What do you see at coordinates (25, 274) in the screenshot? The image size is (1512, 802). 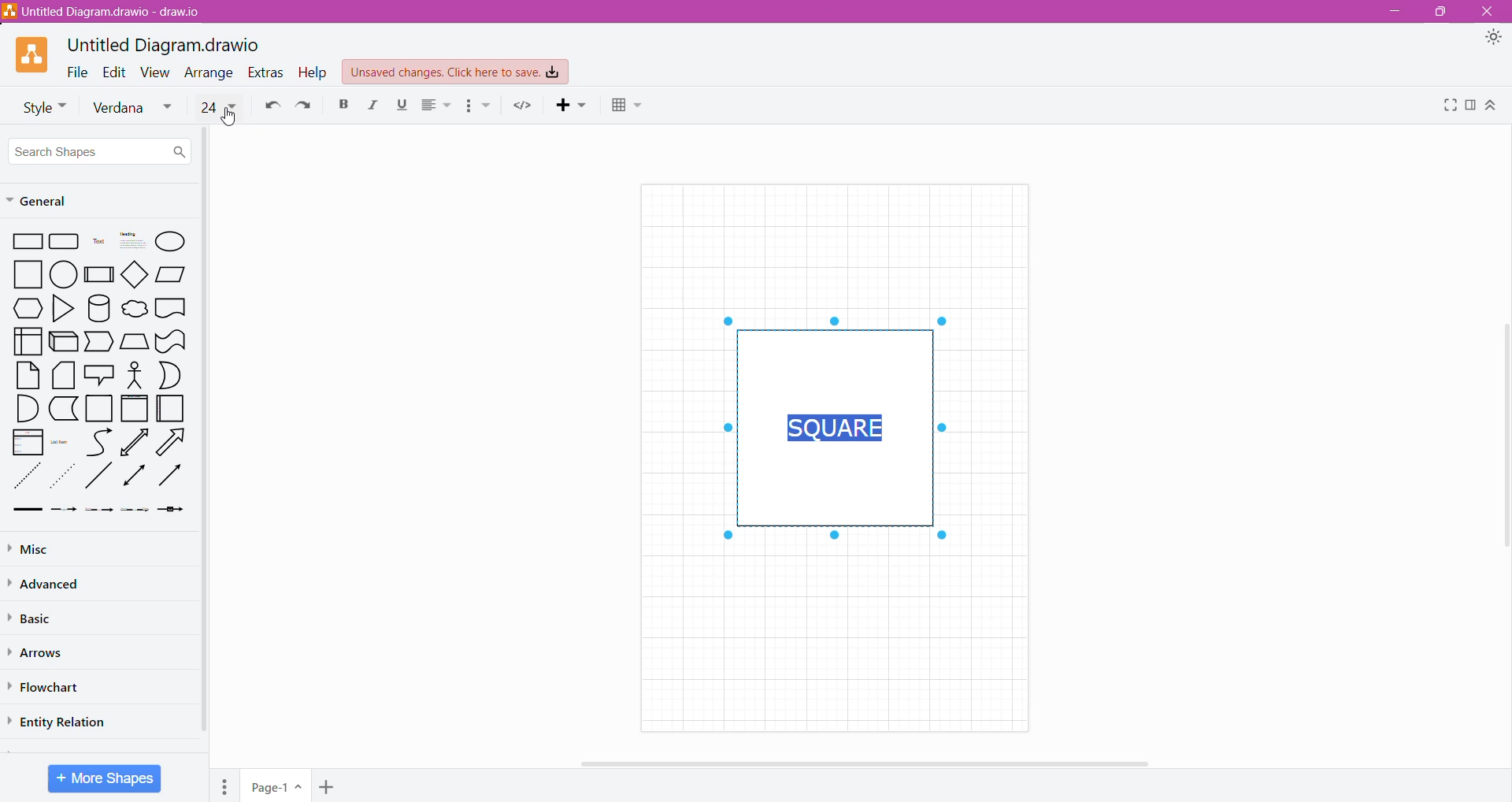 I see `square` at bounding box center [25, 274].